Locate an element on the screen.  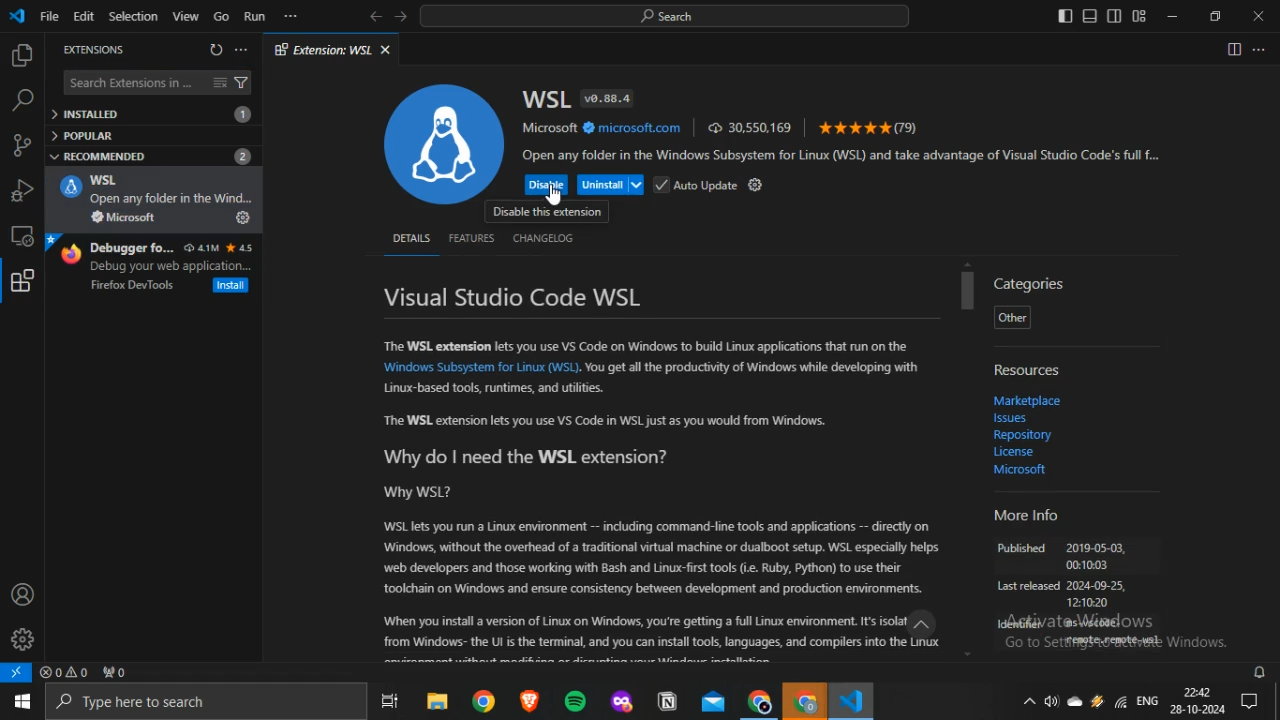
Microsoft is located at coordinates (550, 127).